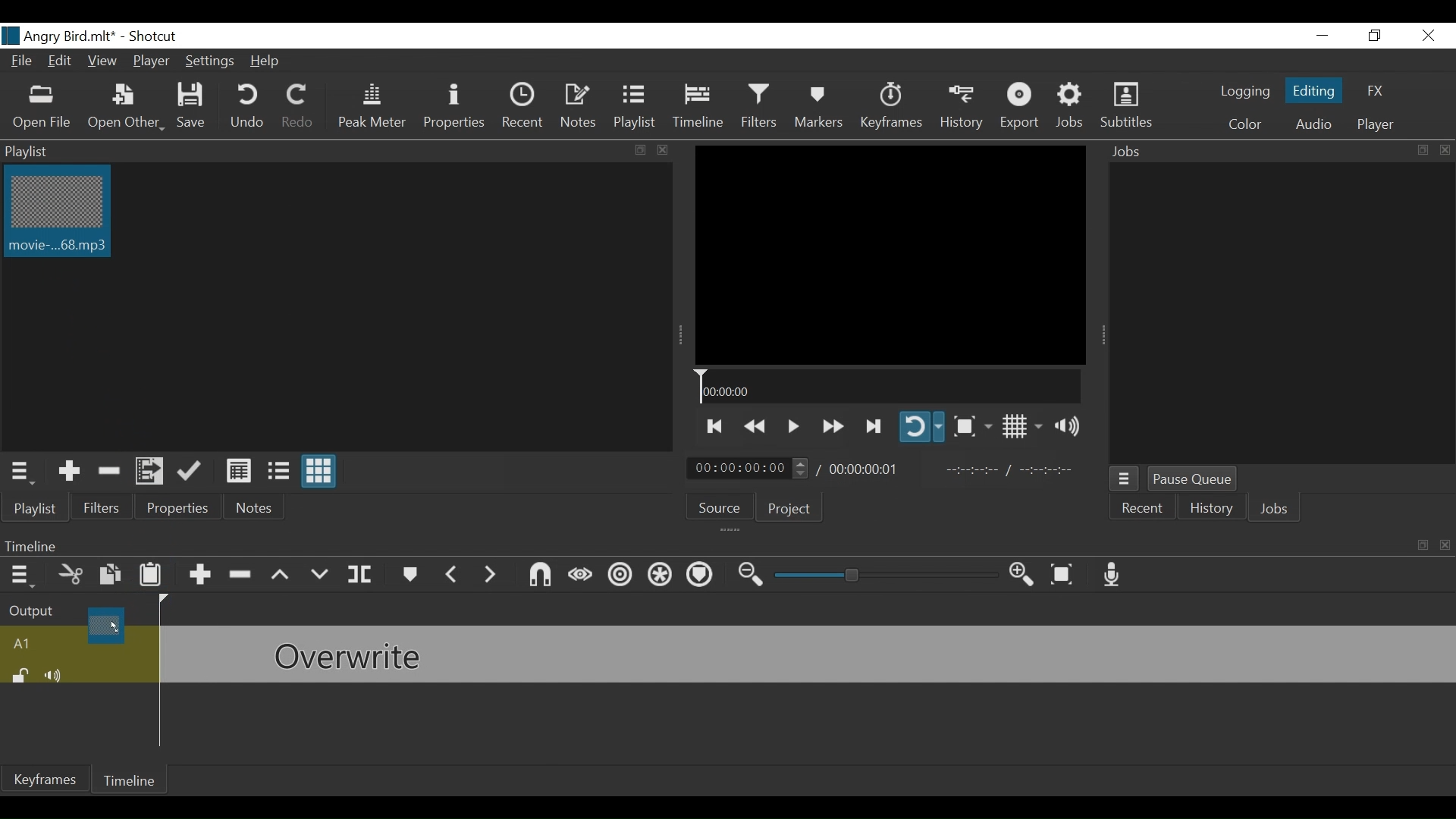 Image resolution: width=1456 pixels, height=819 pixels. I want to click on Previous marker, so click(453, 573).